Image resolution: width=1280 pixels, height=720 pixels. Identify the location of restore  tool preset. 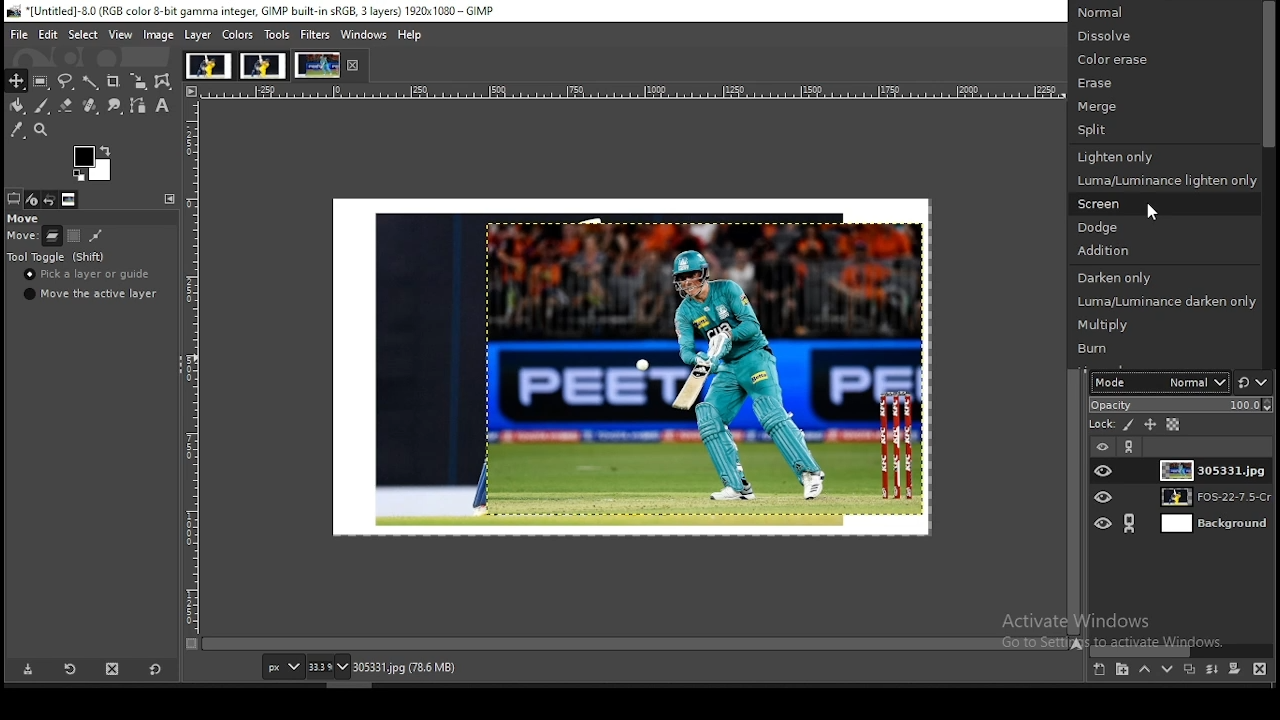
(67, 670).